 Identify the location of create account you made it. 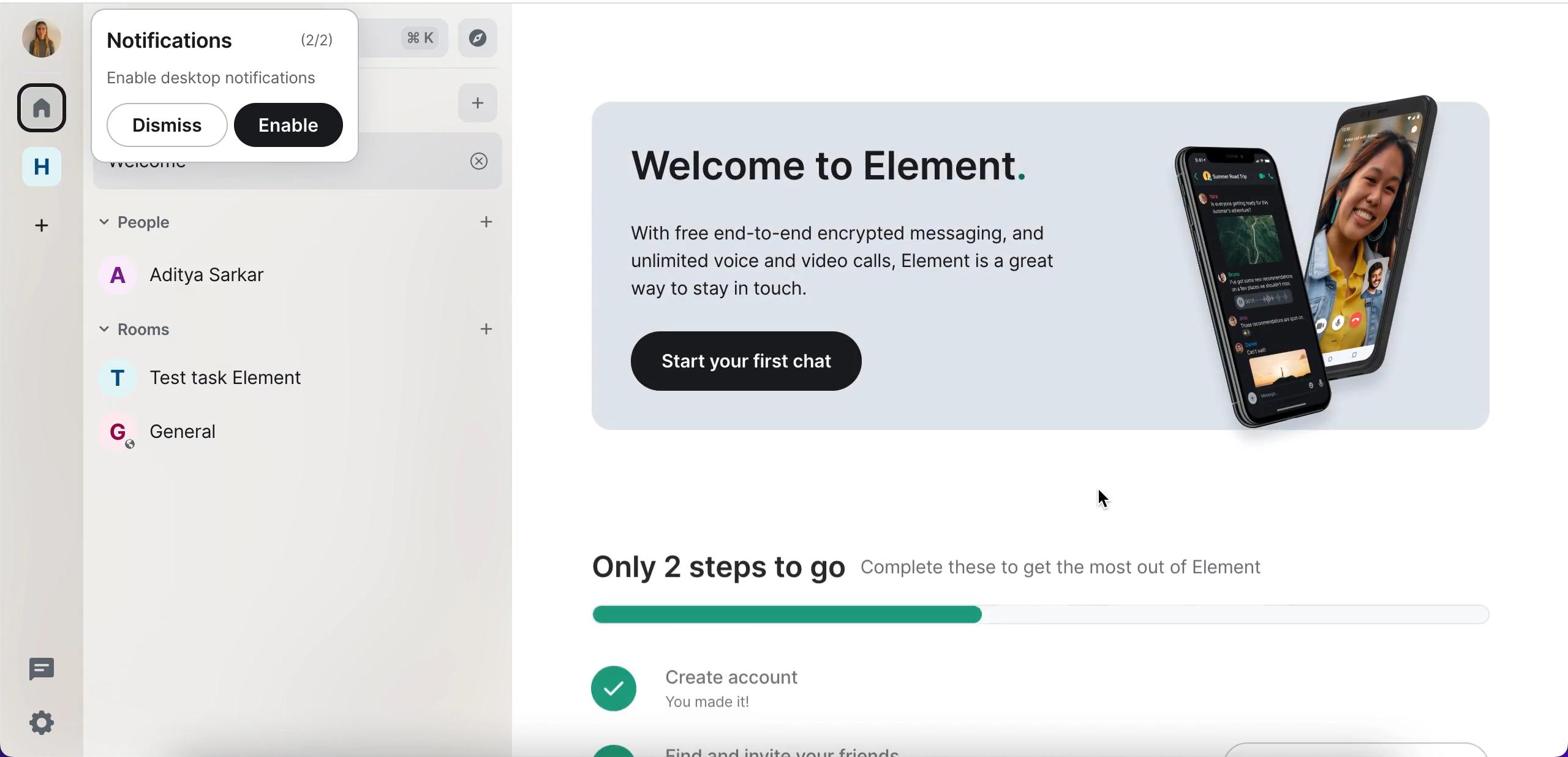
(697, 685).